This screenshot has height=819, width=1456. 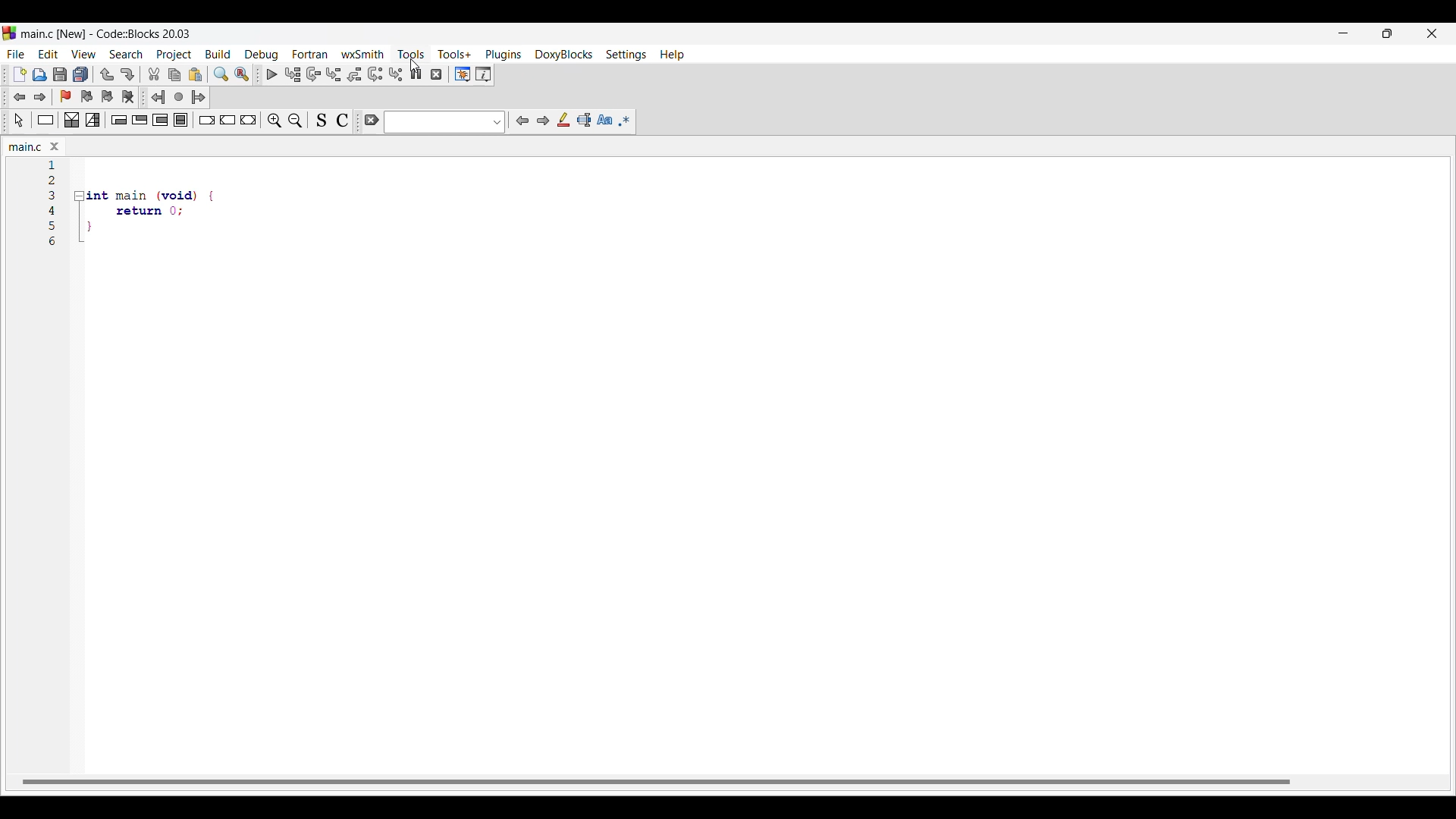 I want to click on Last jump, so click(x=179, y=97).